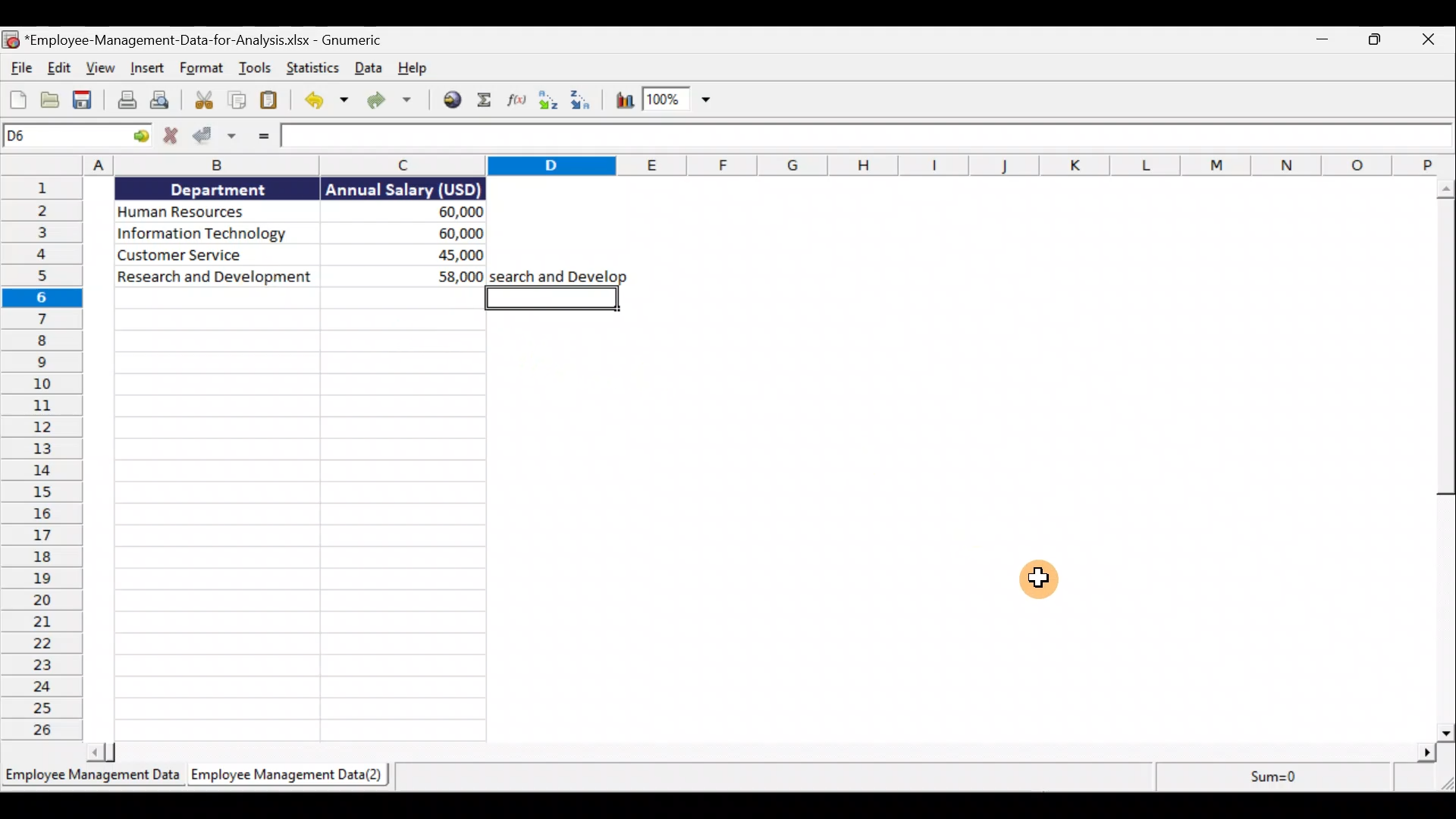 This screenshot has height=819, width=1456. What do you see at coordinates (315, 68) in the screenshot?
I see `Statistics` at bounding box center [315, 68].